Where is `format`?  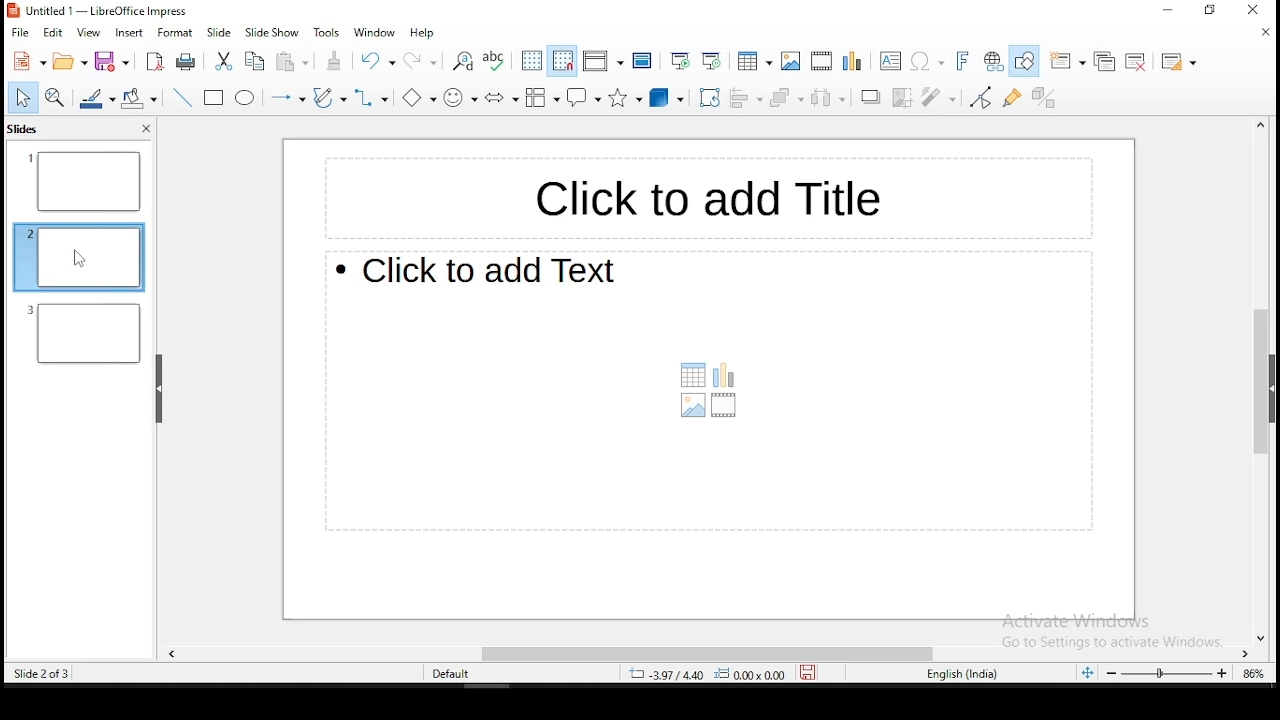 format is located at coordinates (176, 32).